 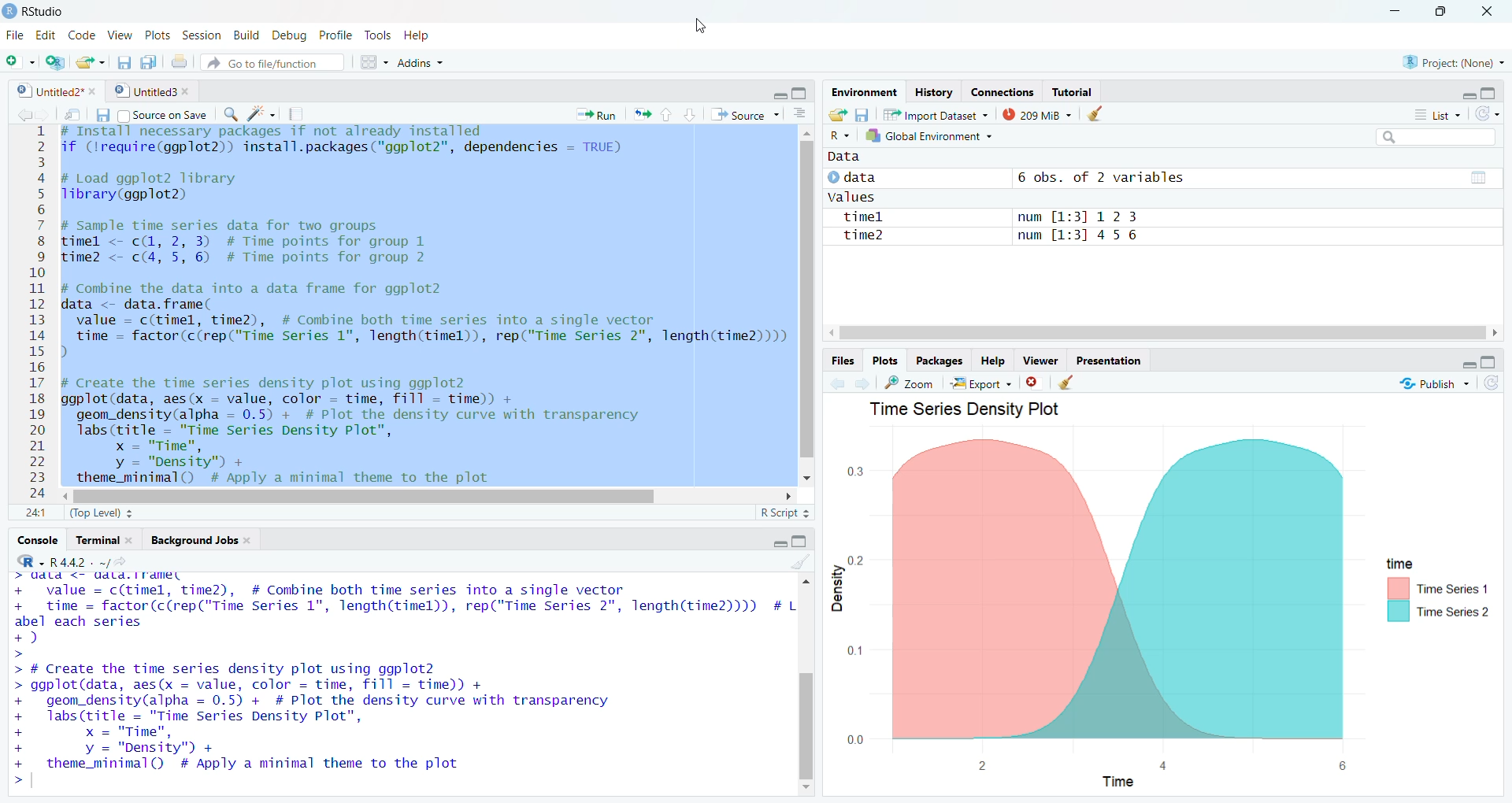 What do you see at coordinates (296, 115) in the screenshot?
I see `Compile Report` at bounding box center [296, 115].